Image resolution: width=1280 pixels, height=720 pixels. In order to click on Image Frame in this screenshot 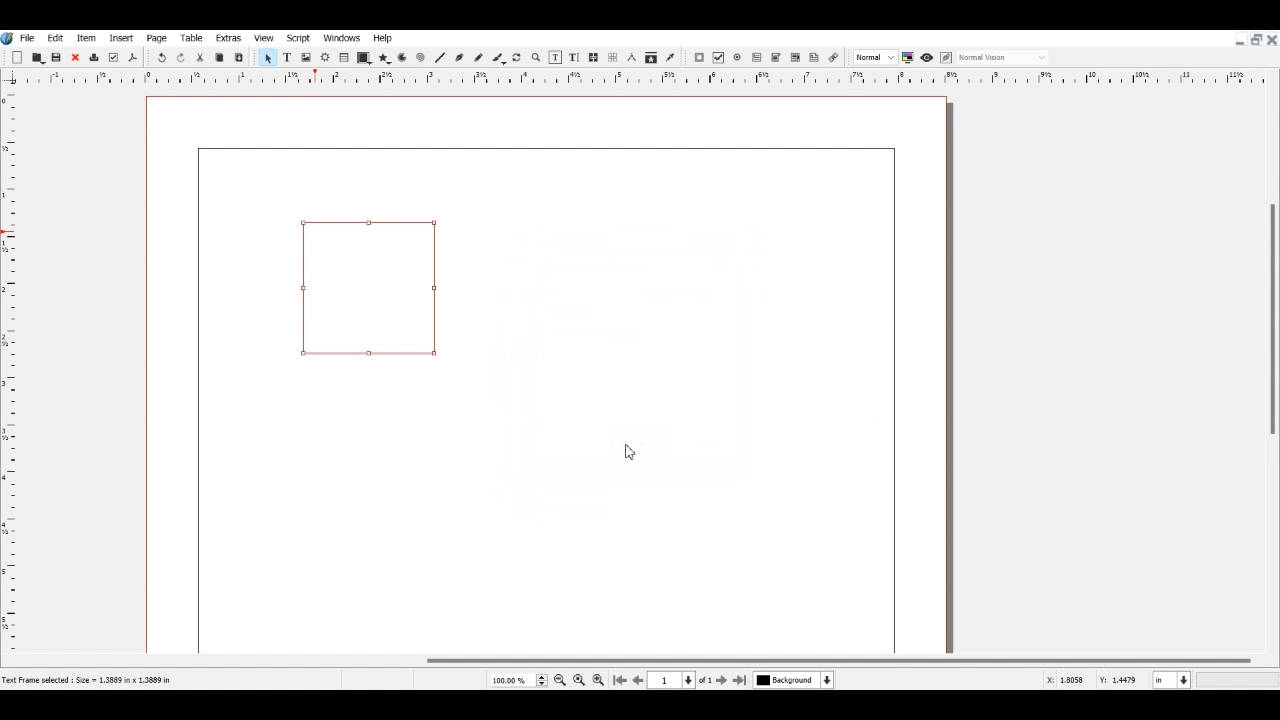, I will do `click(306, 57)`.